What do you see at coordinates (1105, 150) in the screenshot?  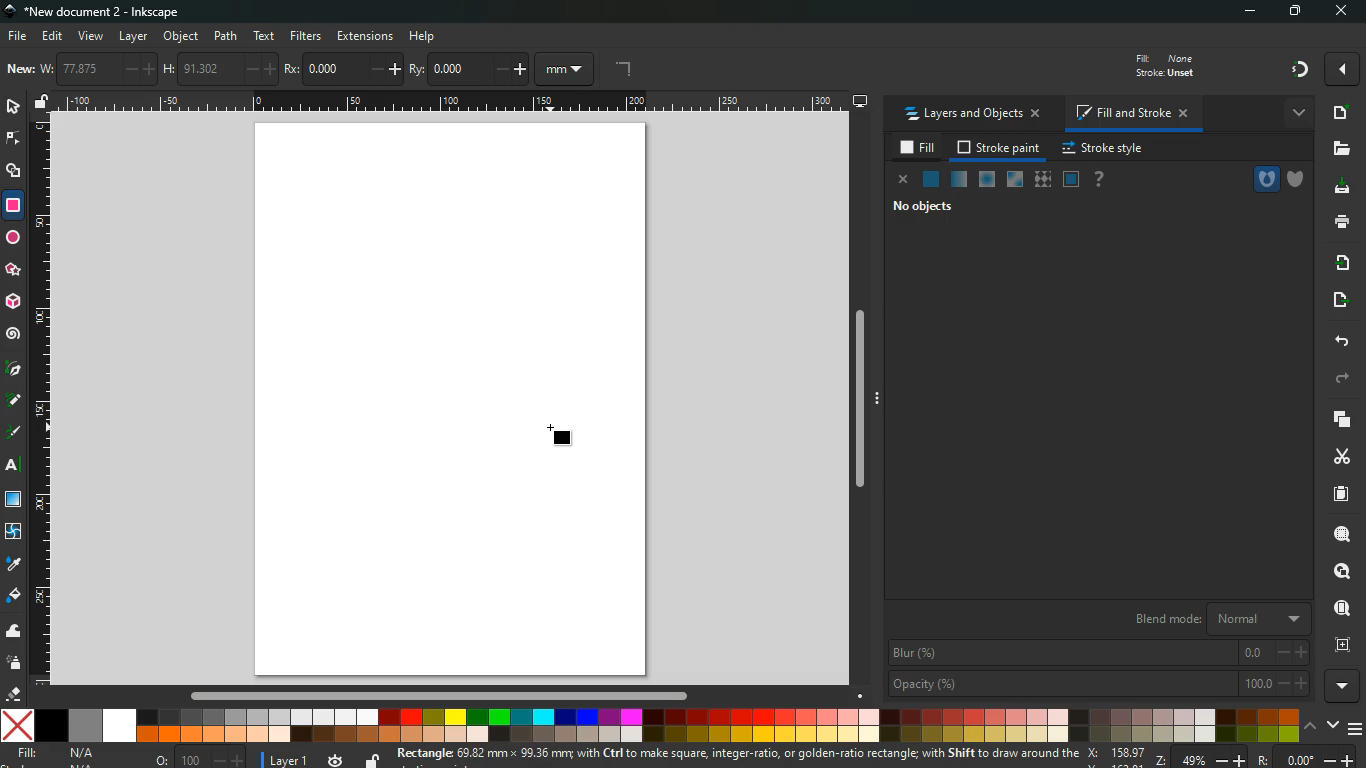 I see `stroke style` at bounding box center [1105, 150].